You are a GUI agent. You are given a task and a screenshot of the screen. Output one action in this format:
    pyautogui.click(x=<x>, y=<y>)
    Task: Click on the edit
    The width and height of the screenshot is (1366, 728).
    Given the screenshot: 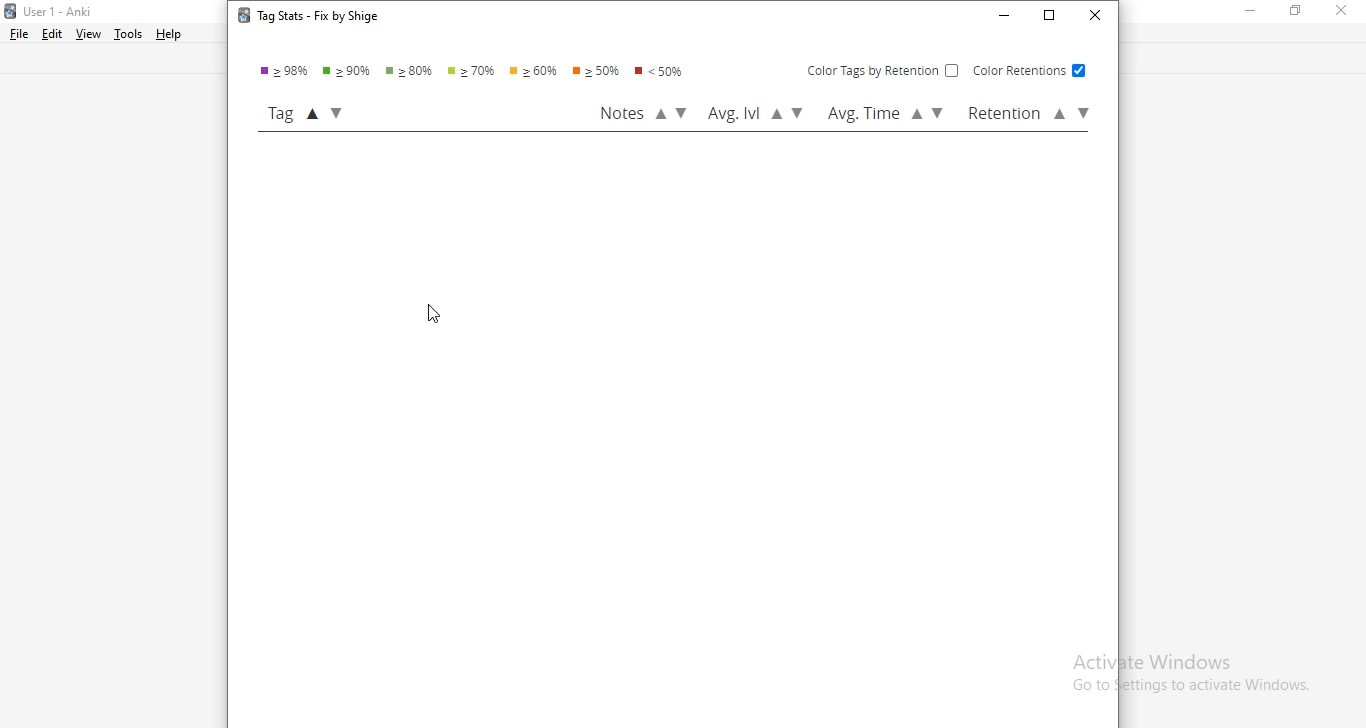 What is the action you would take?
    pyautogui.click(x=53, y=33)
    